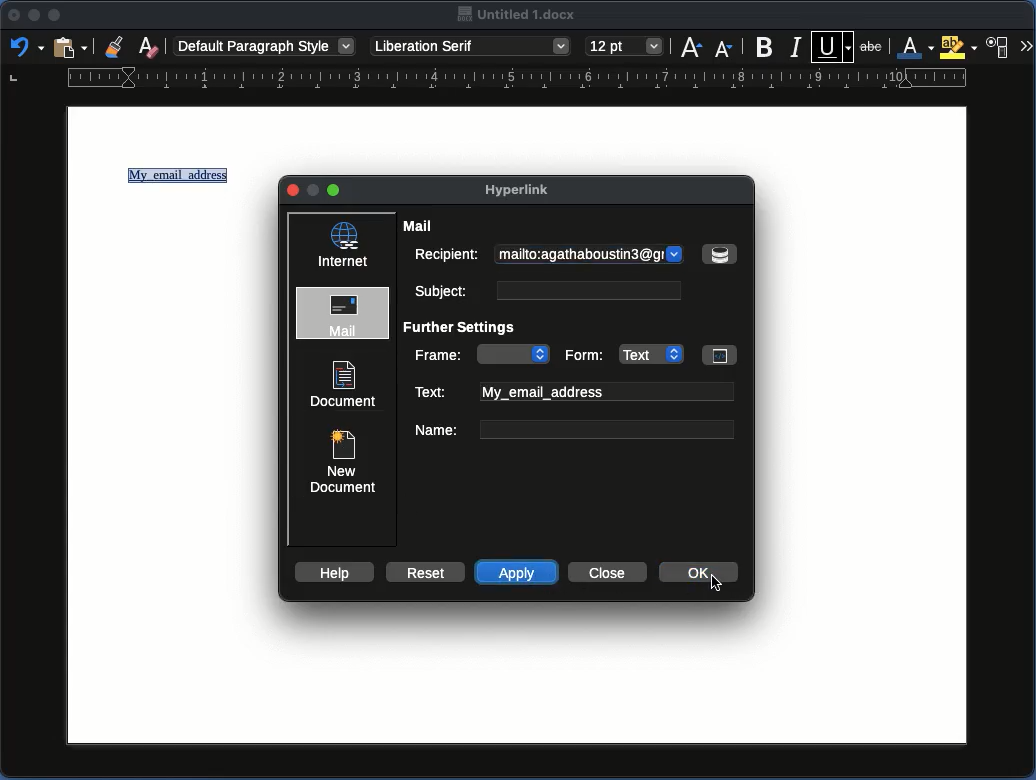 This screenshot has height=780, width=1036. Describe the element at coordinates (181, 178) in the screenshot. I see `My_email_address` at that location.